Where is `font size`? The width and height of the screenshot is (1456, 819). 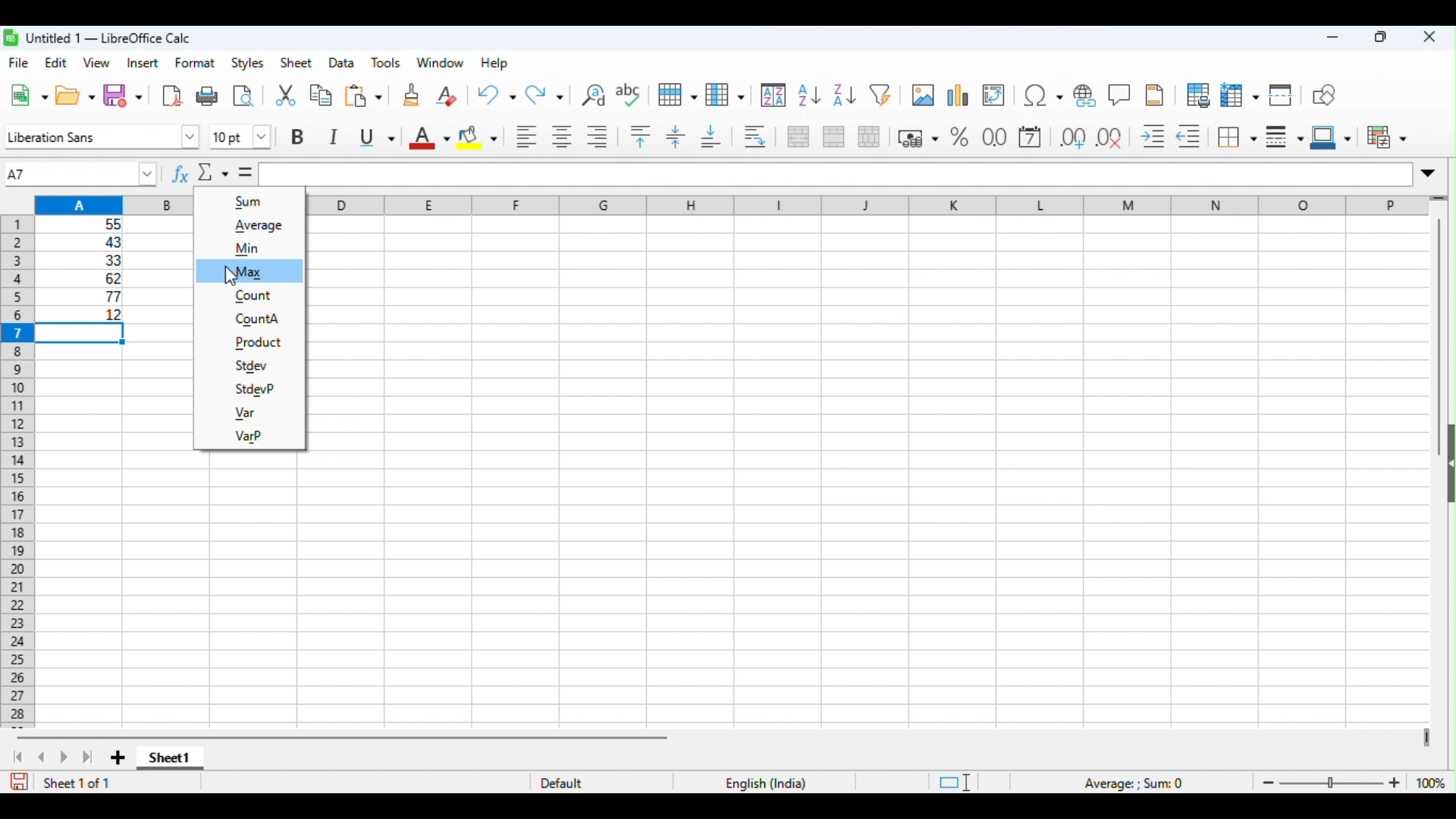
font size is located at coordinates (244, 134).